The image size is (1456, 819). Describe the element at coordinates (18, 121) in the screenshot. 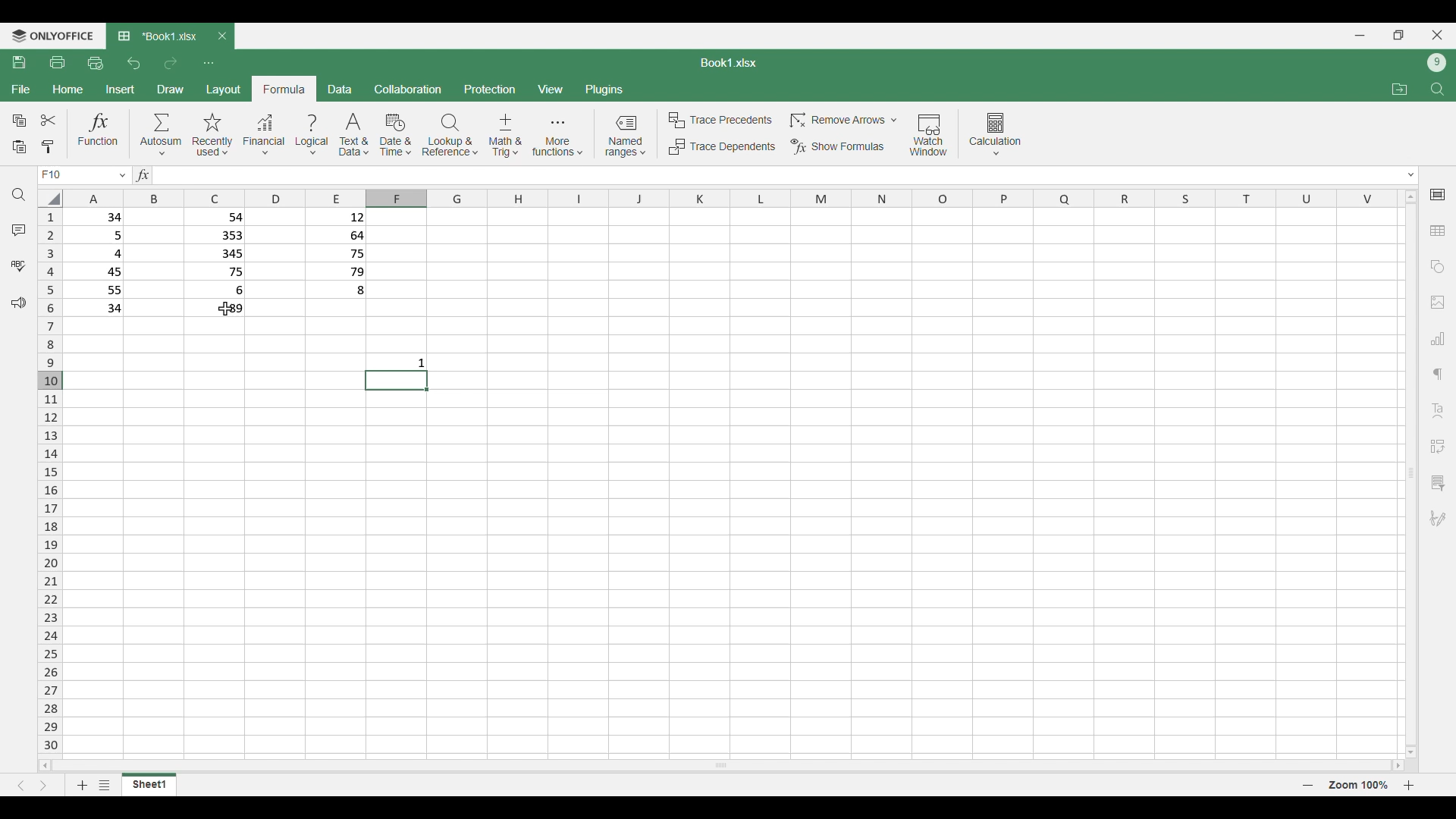

I see `Copy` at that location.